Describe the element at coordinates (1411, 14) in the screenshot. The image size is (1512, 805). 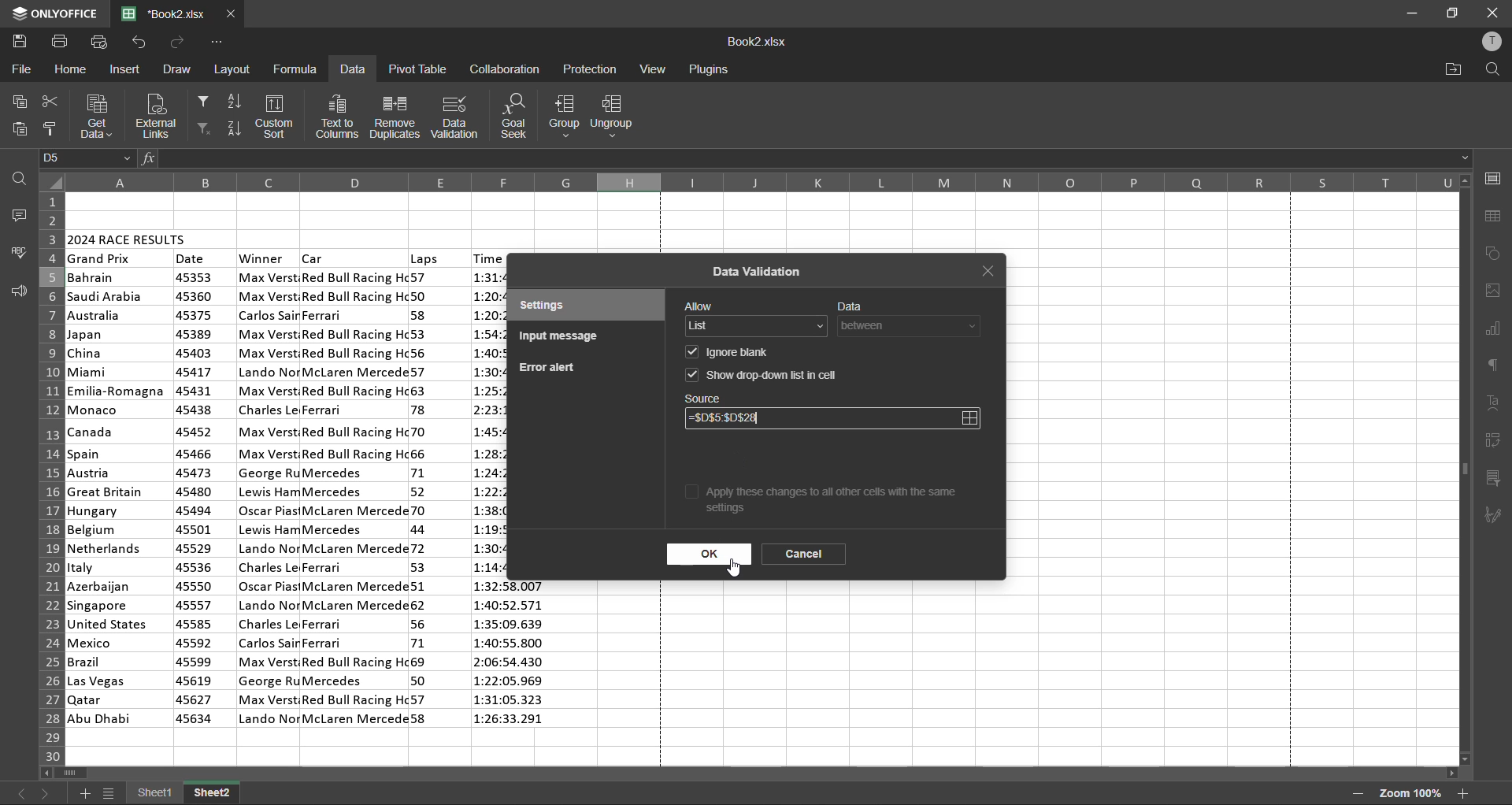
I see `minimize` at that location.